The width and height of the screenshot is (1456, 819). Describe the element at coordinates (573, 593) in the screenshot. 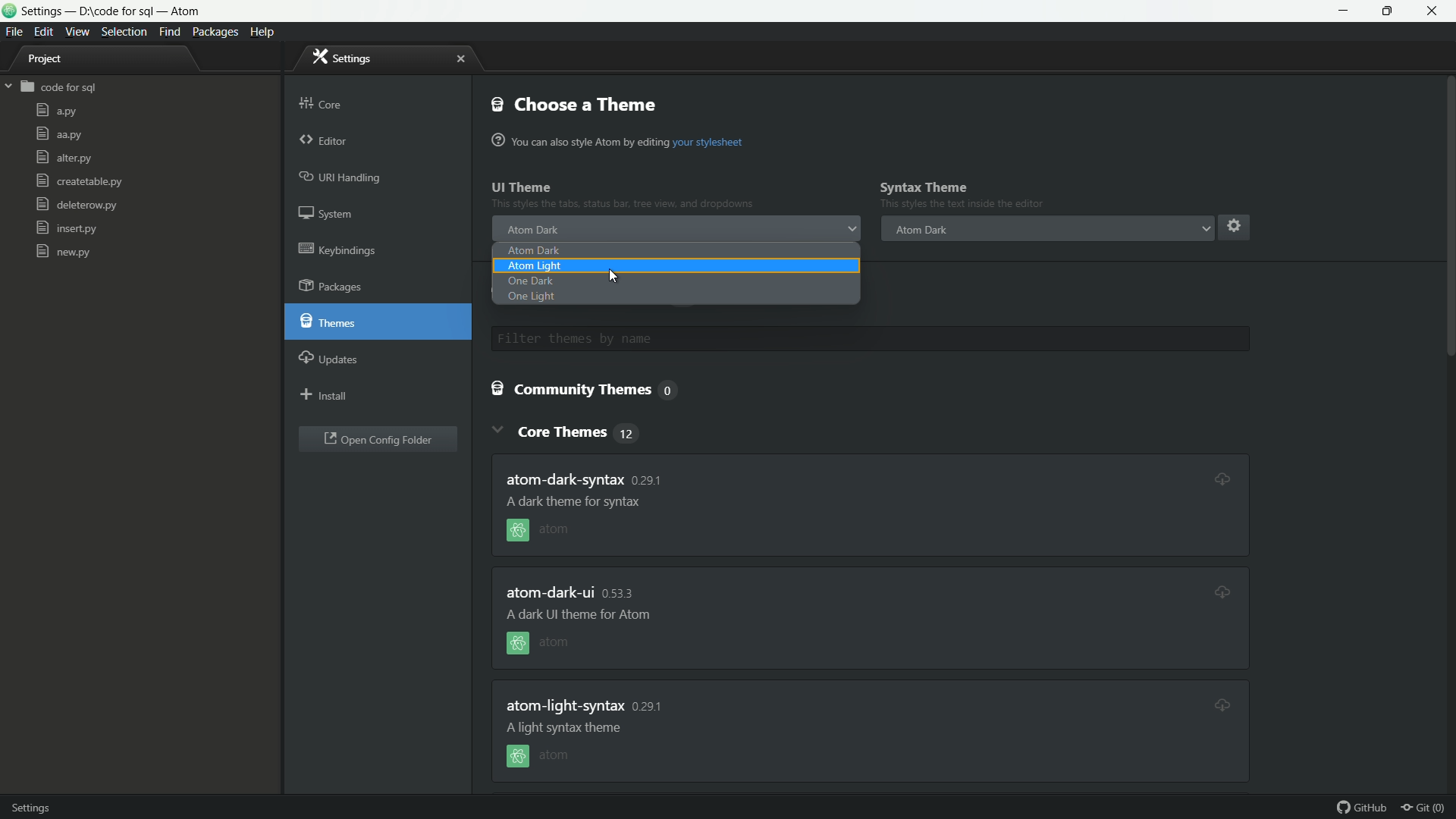

I see `atom dark ui` at that location.